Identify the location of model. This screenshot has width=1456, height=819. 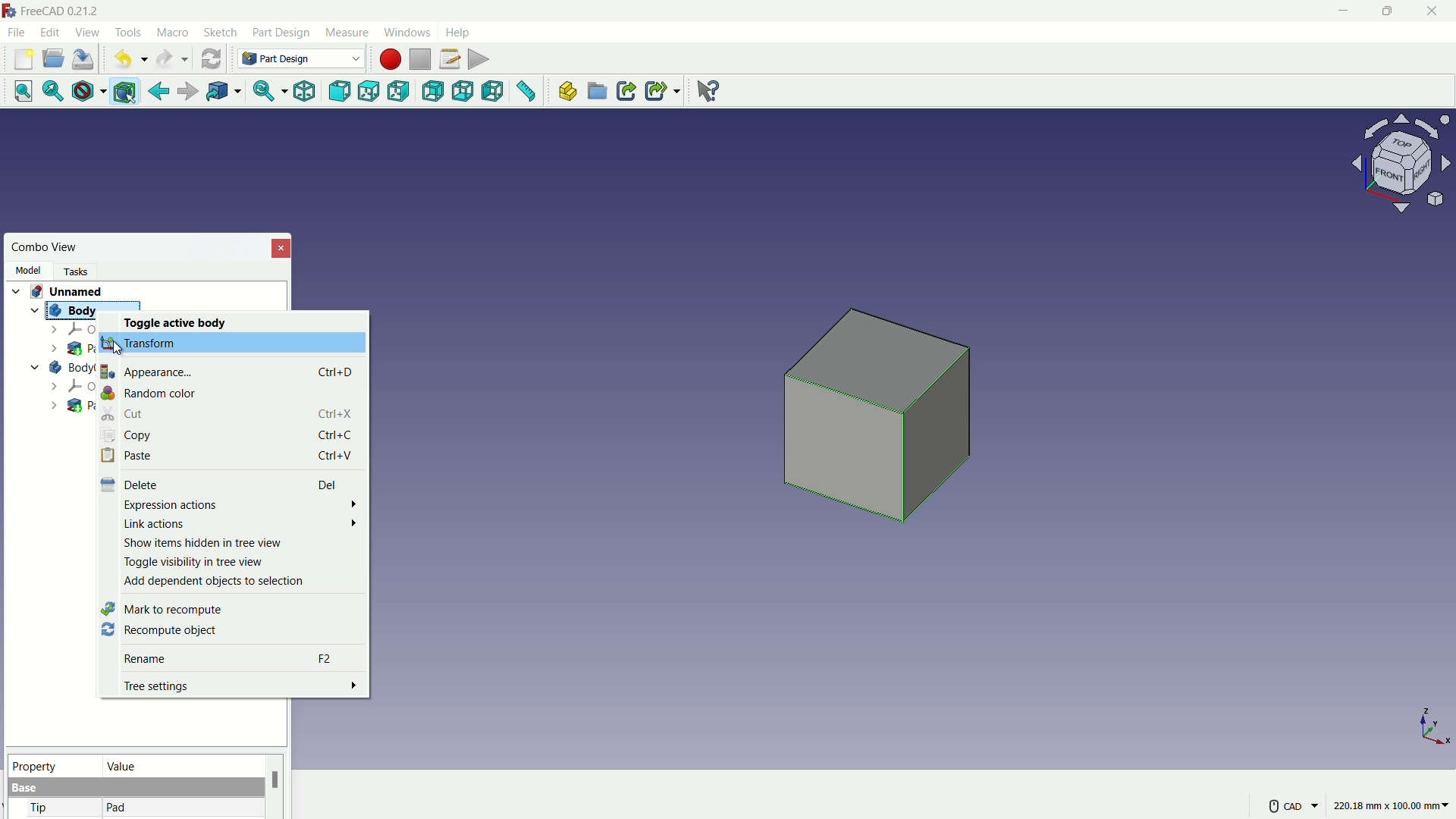
(27, 270).